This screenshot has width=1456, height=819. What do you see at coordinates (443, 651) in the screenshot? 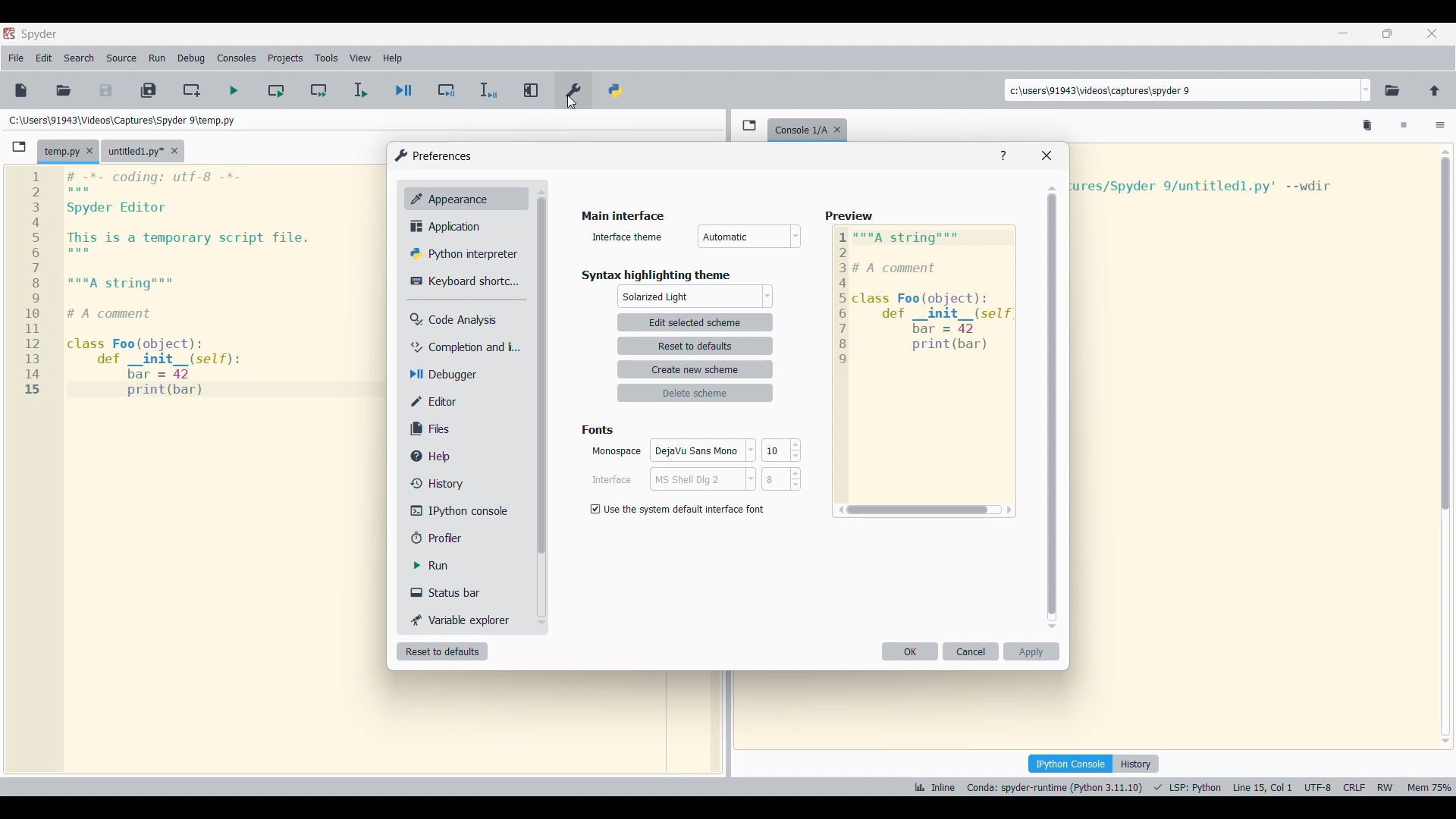
I see `Reset to defaults` at bounding box center [443, 651].